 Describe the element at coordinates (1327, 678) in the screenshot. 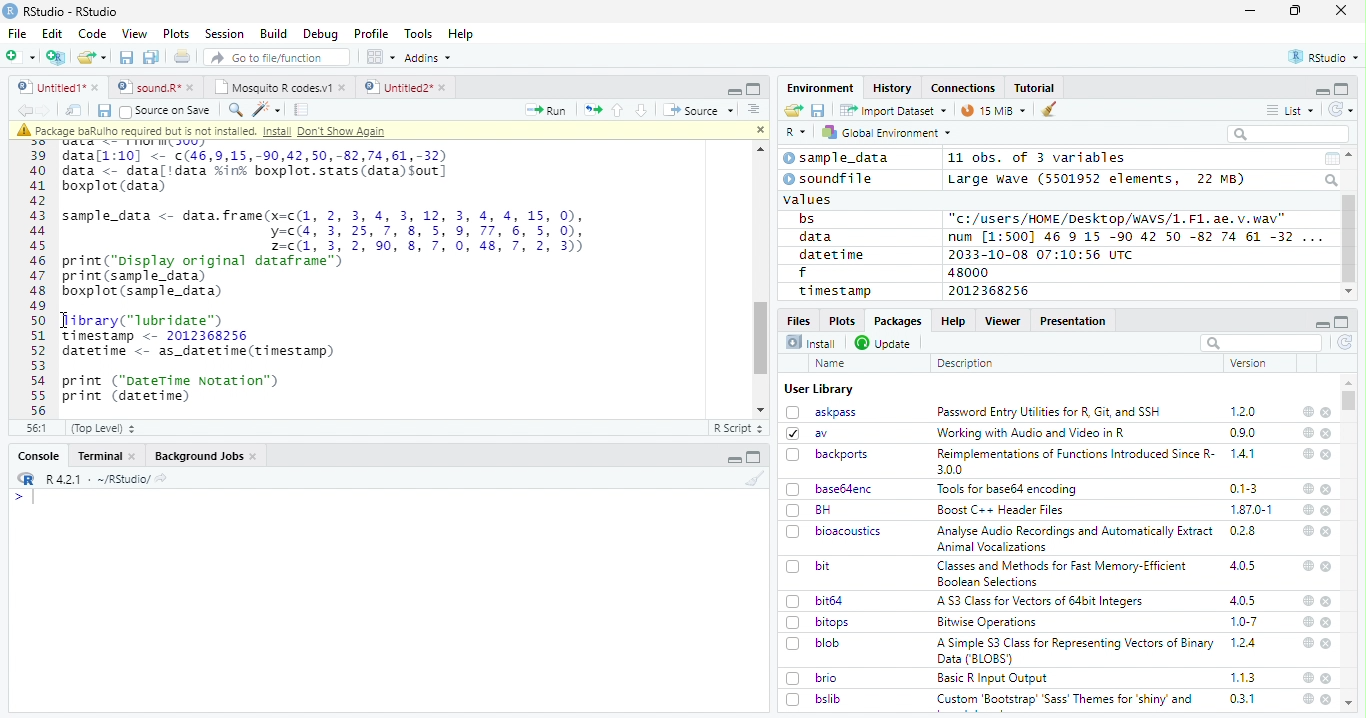

I see `close` at that location.